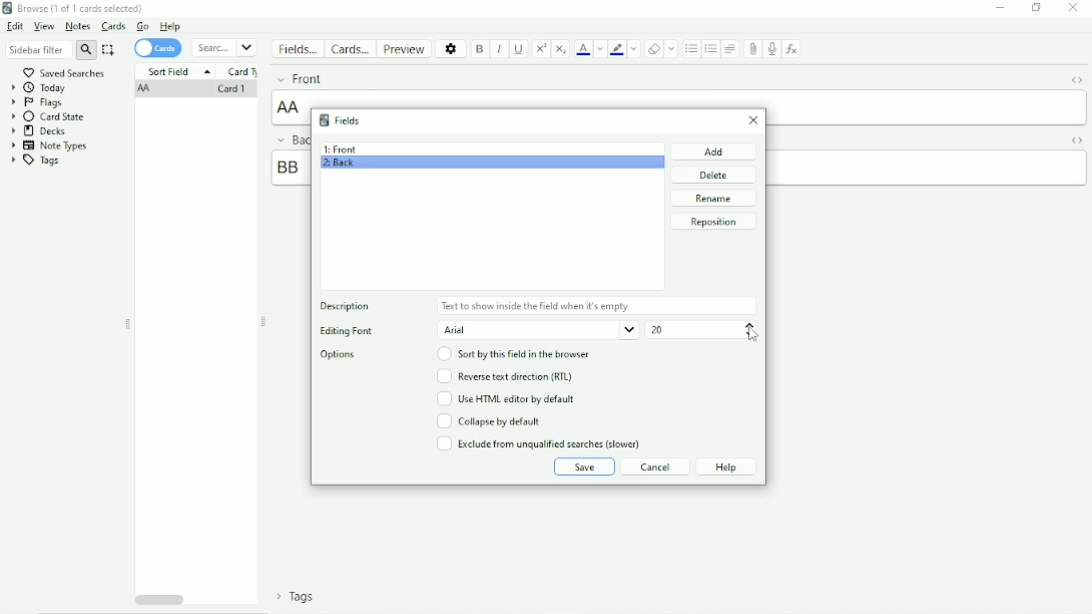 Image resolution: width=1092 pixels, height=614 pixels. What do you see at coordinates (51, 117) in the screenshot?
I see `Card State` at bounding box center [51, 117].